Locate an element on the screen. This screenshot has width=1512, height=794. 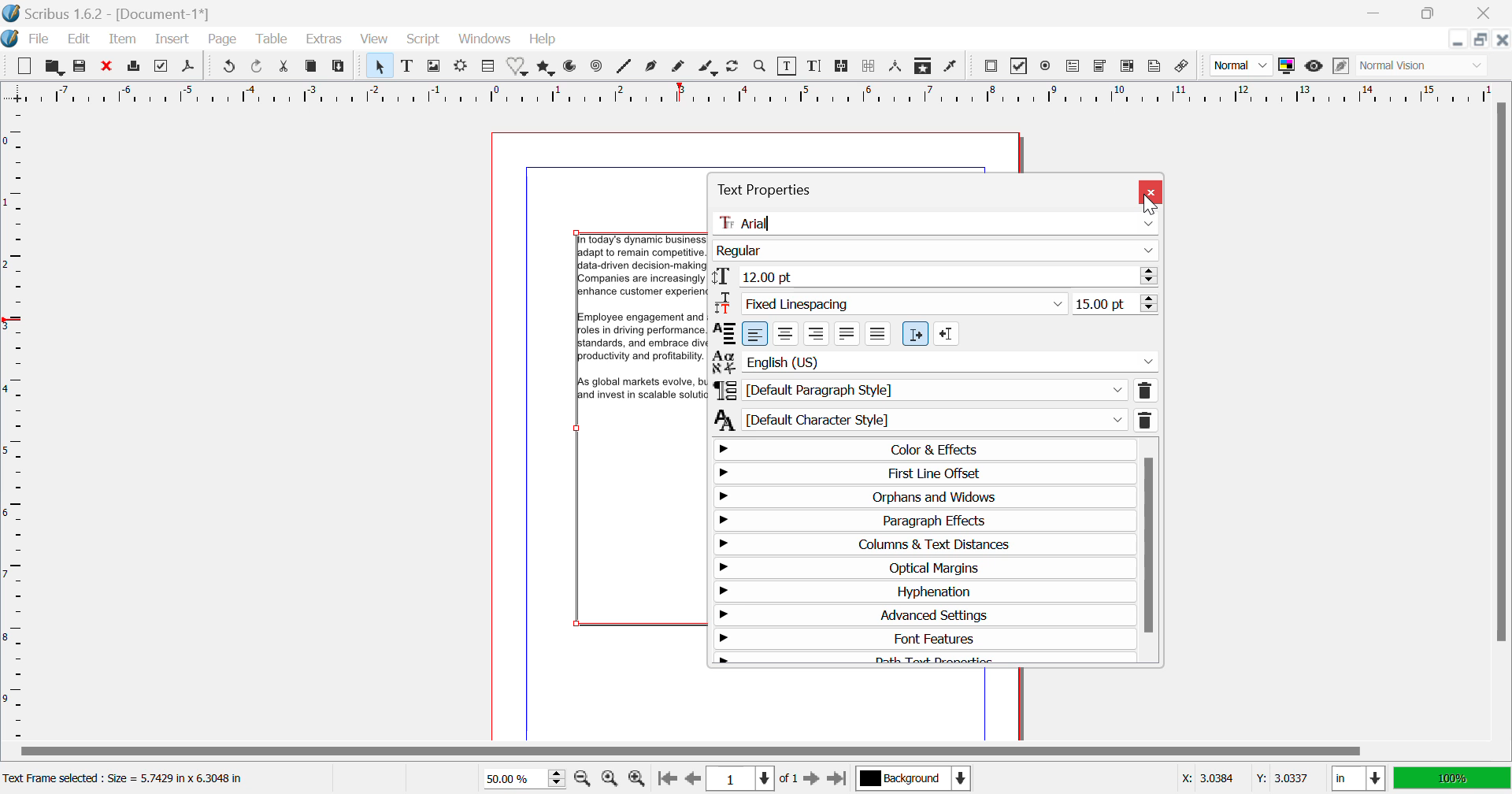
Next Page is located at coordinates (813, 779).